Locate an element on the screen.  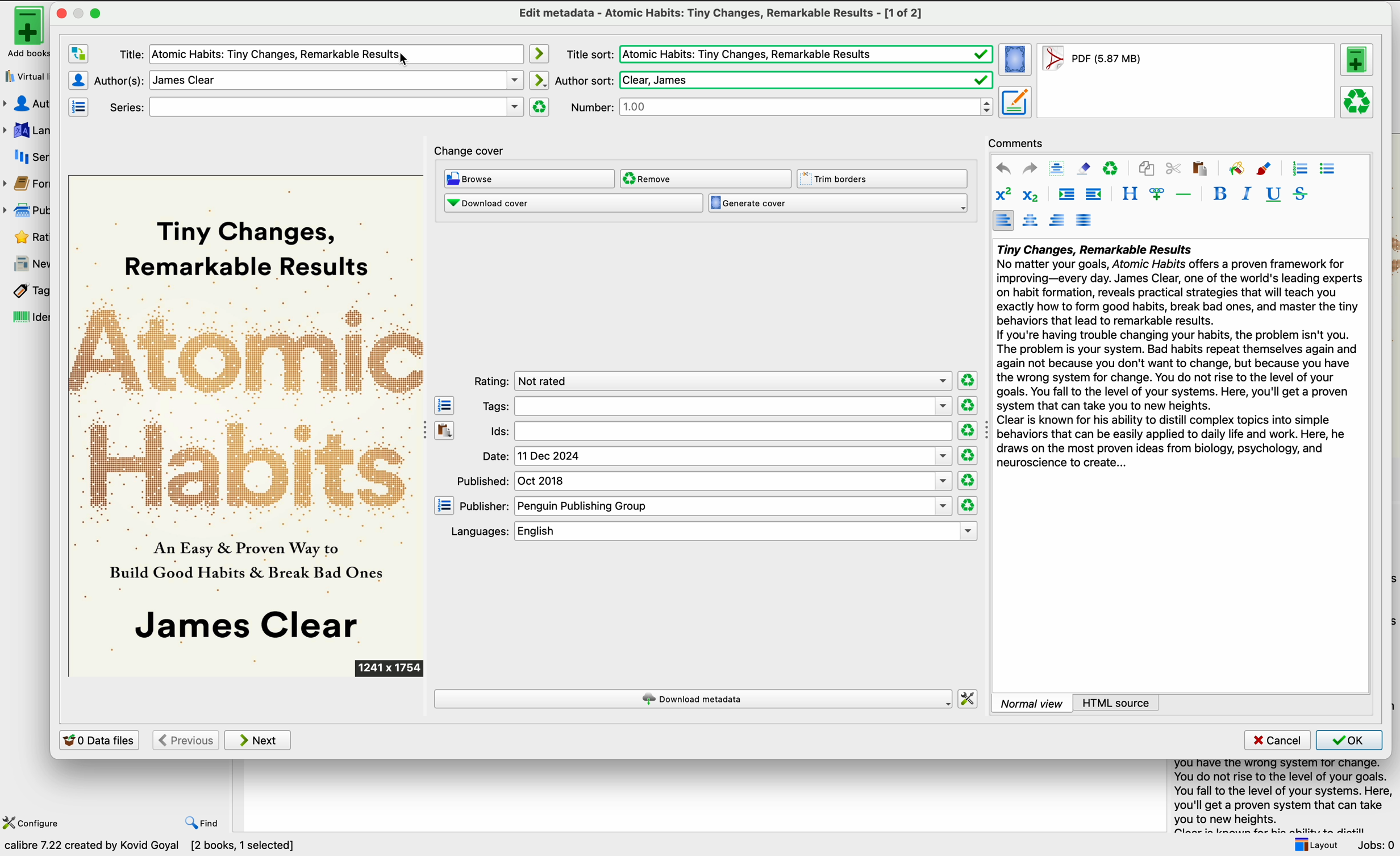
subscript is located at coordinates (1033, 195).